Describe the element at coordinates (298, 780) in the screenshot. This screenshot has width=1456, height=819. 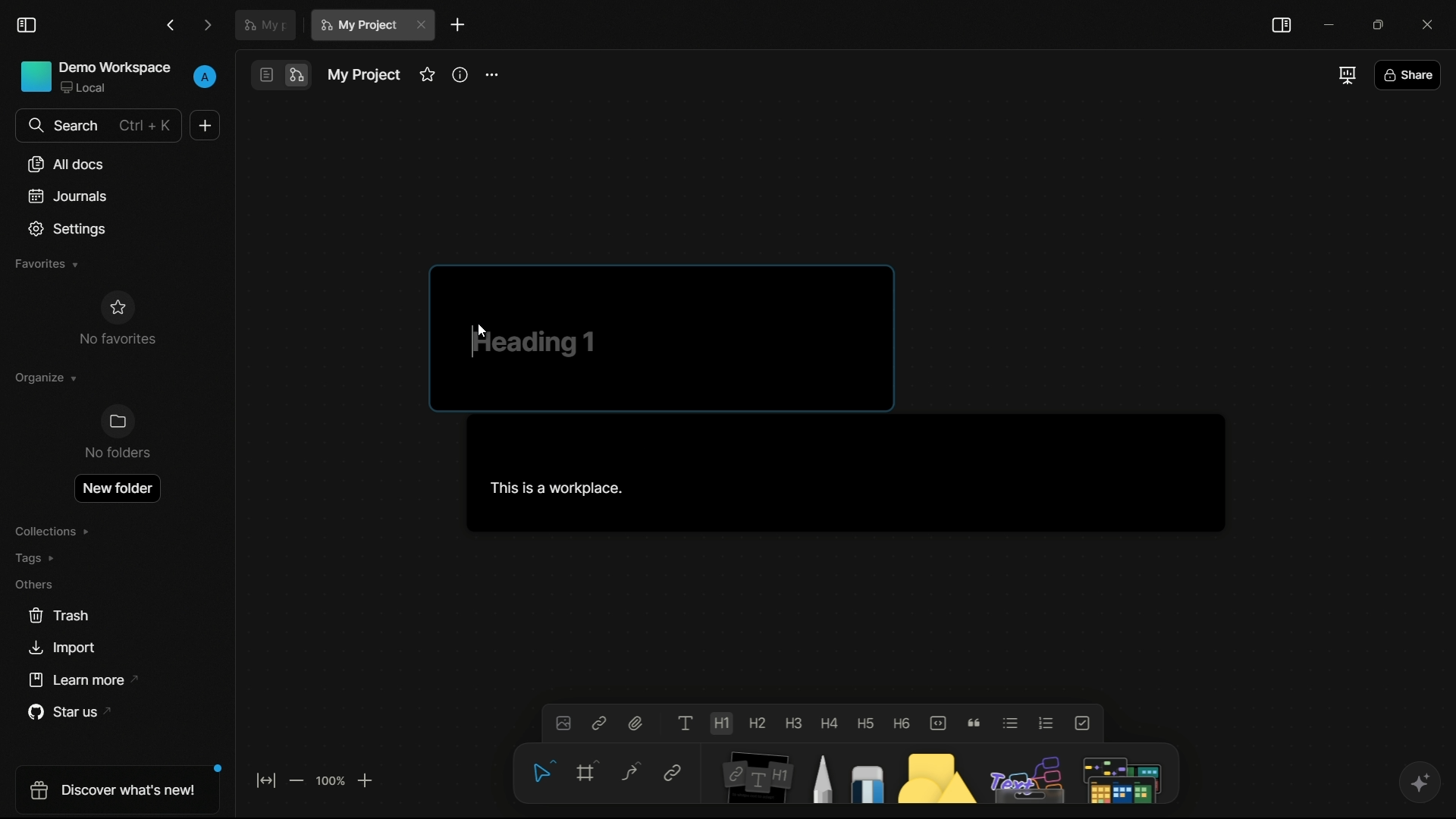
I see `zoom out` at that location.